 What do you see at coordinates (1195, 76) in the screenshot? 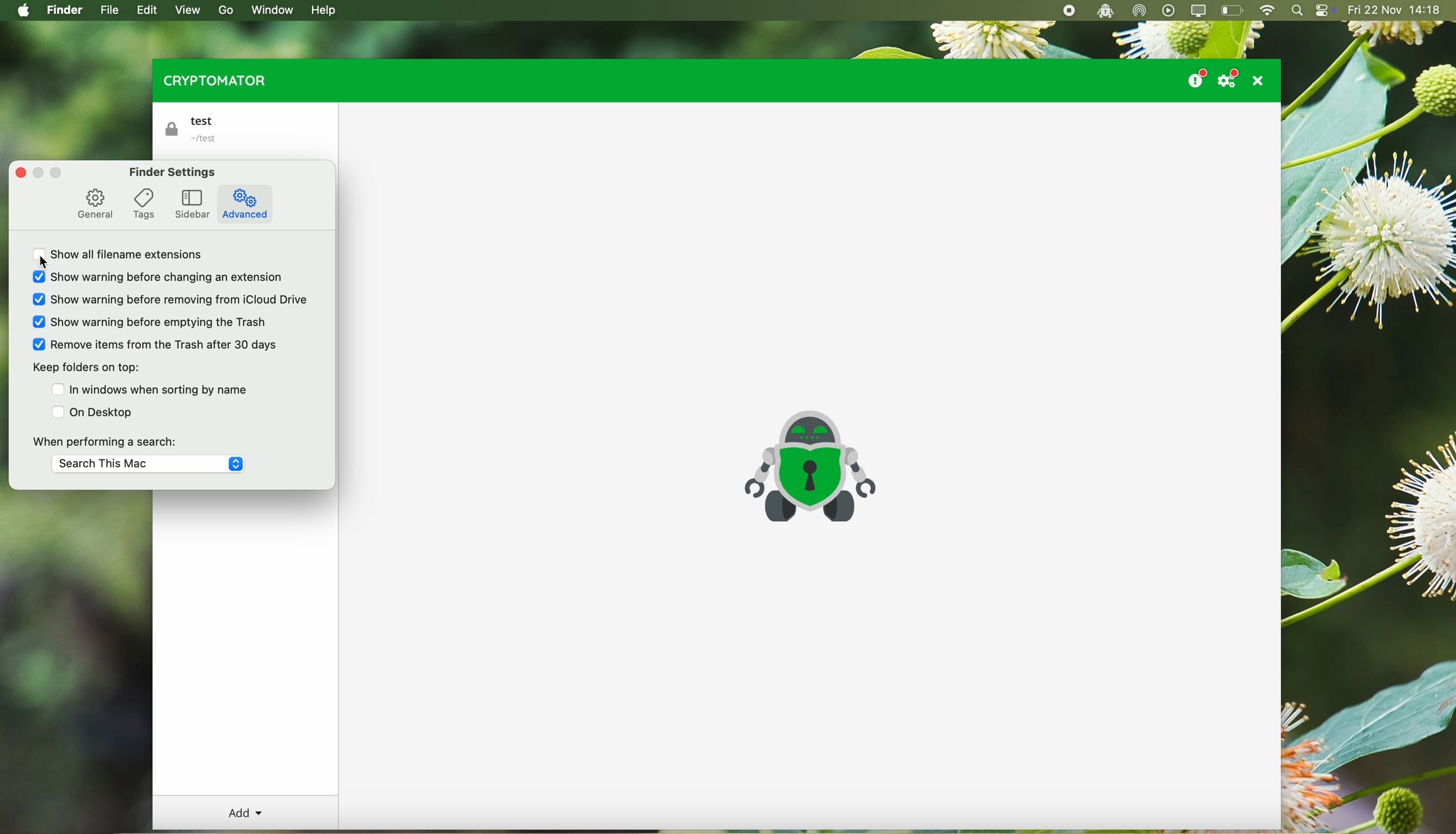
I see `donate` at bounding box center [1195, 76].